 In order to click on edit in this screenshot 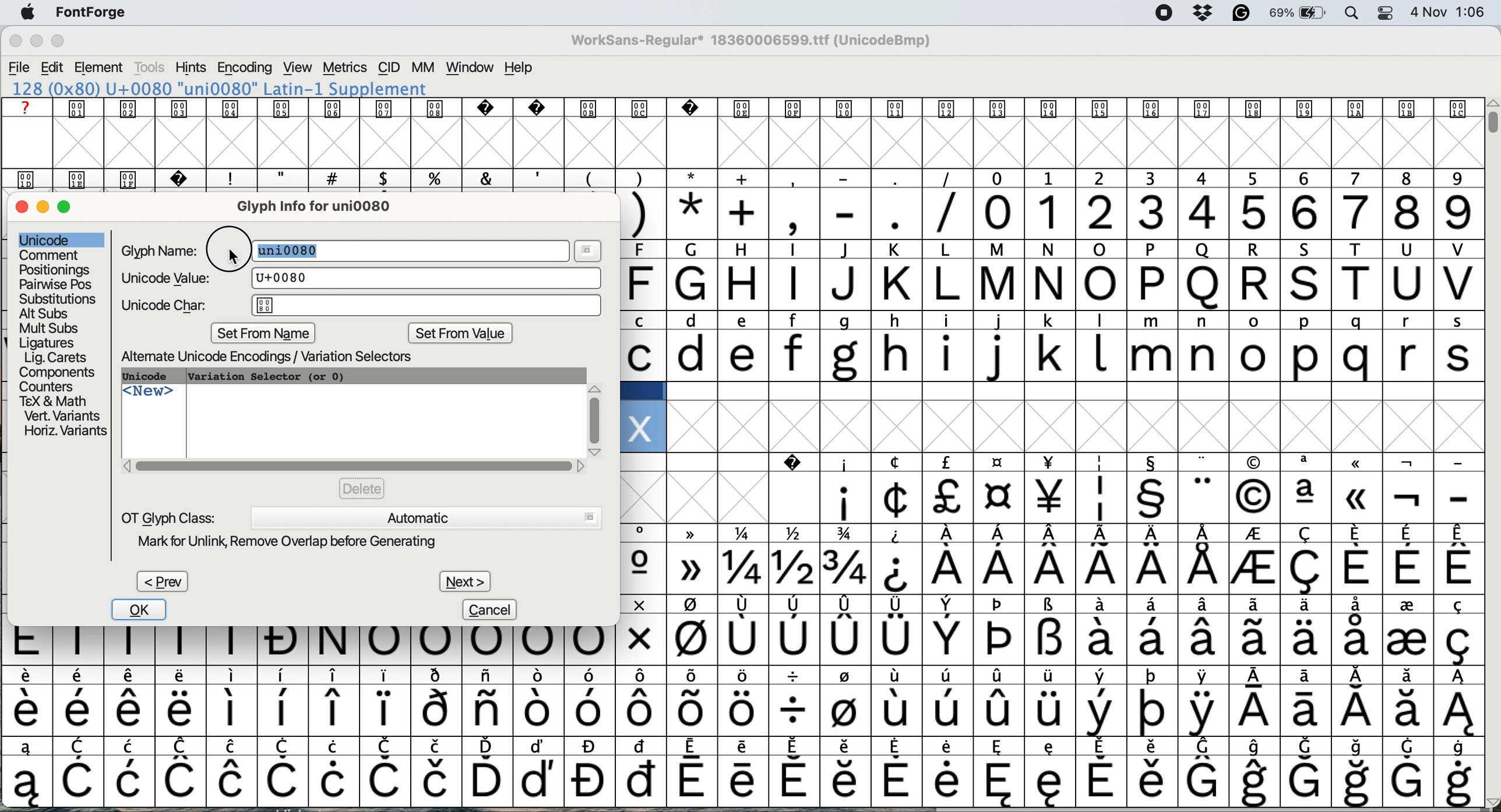, I will do `click(54, 67)`.